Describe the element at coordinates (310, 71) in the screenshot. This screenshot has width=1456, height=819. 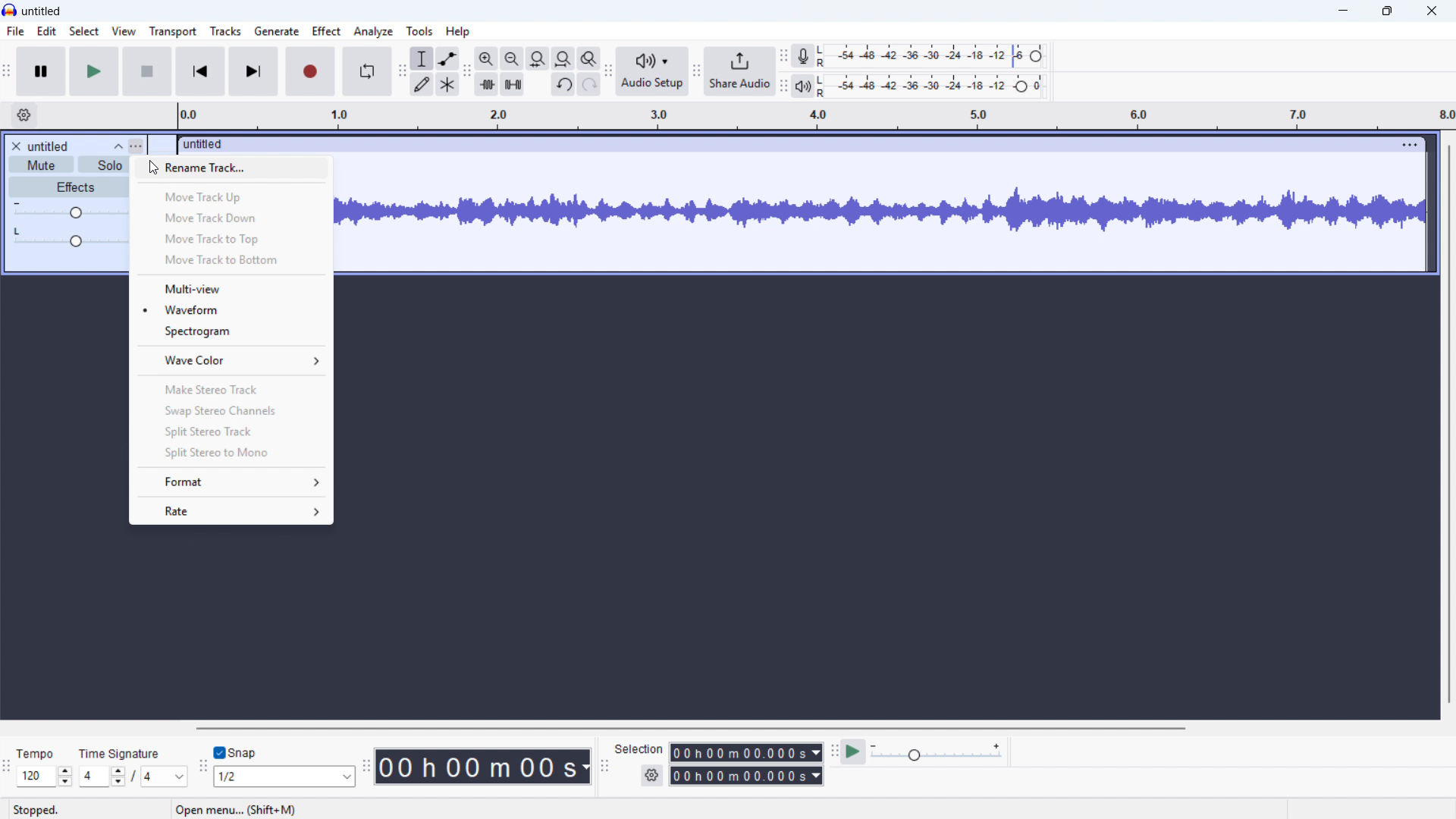
I see `Record ` at that location.